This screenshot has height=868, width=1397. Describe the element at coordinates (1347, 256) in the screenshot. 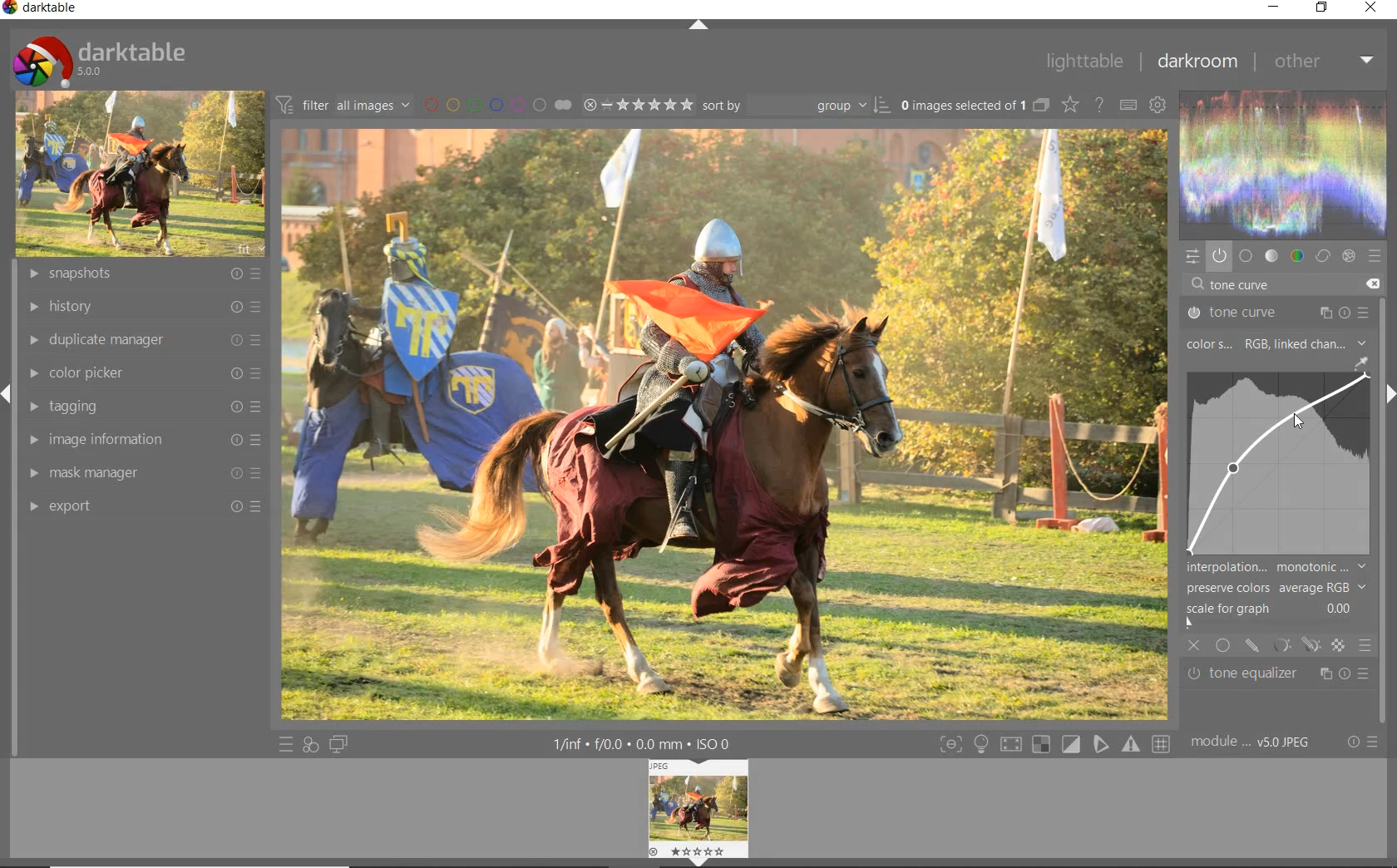

I see `effect` at that location.